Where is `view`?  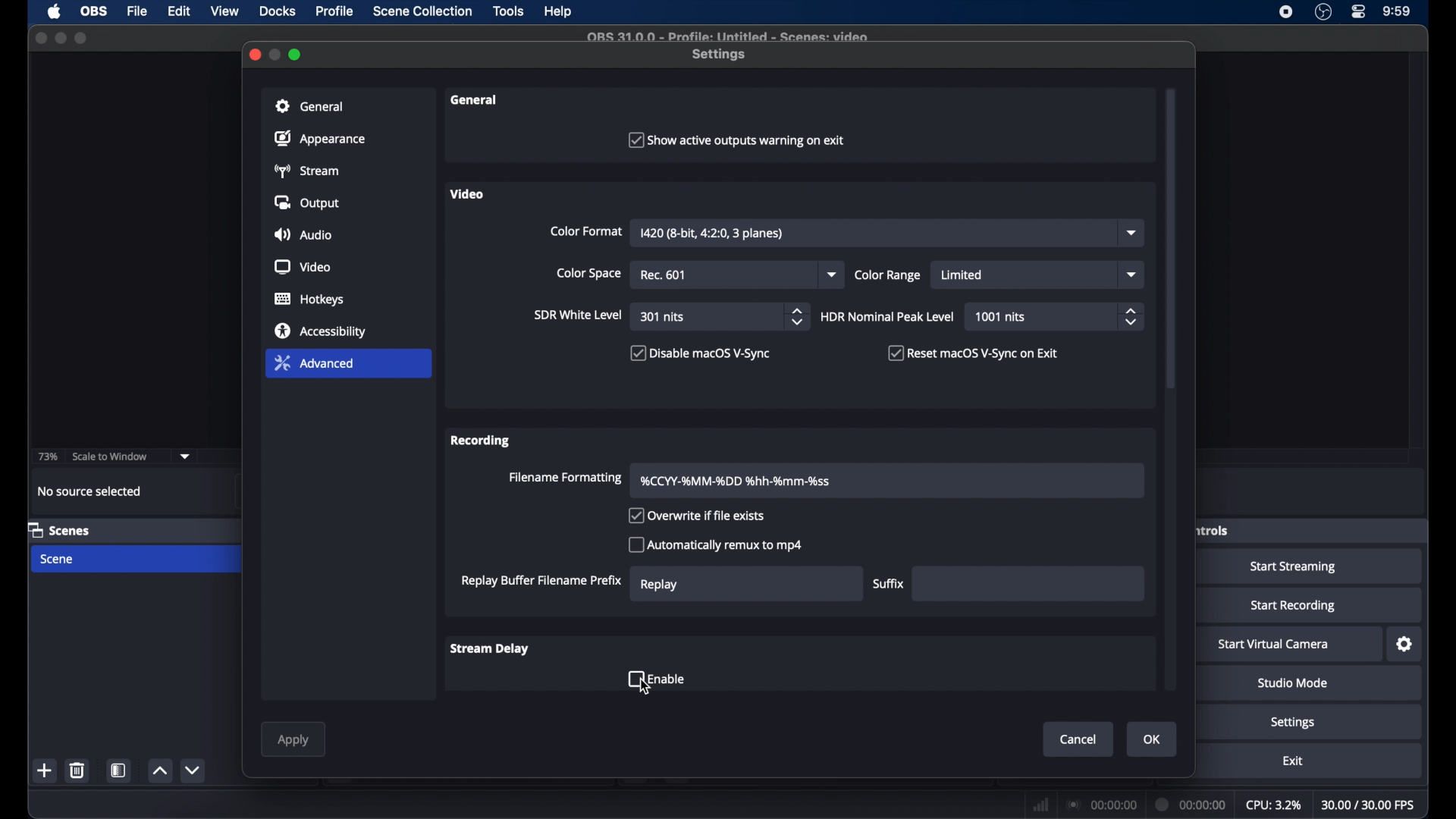
view is located at coordinates (224, 11).